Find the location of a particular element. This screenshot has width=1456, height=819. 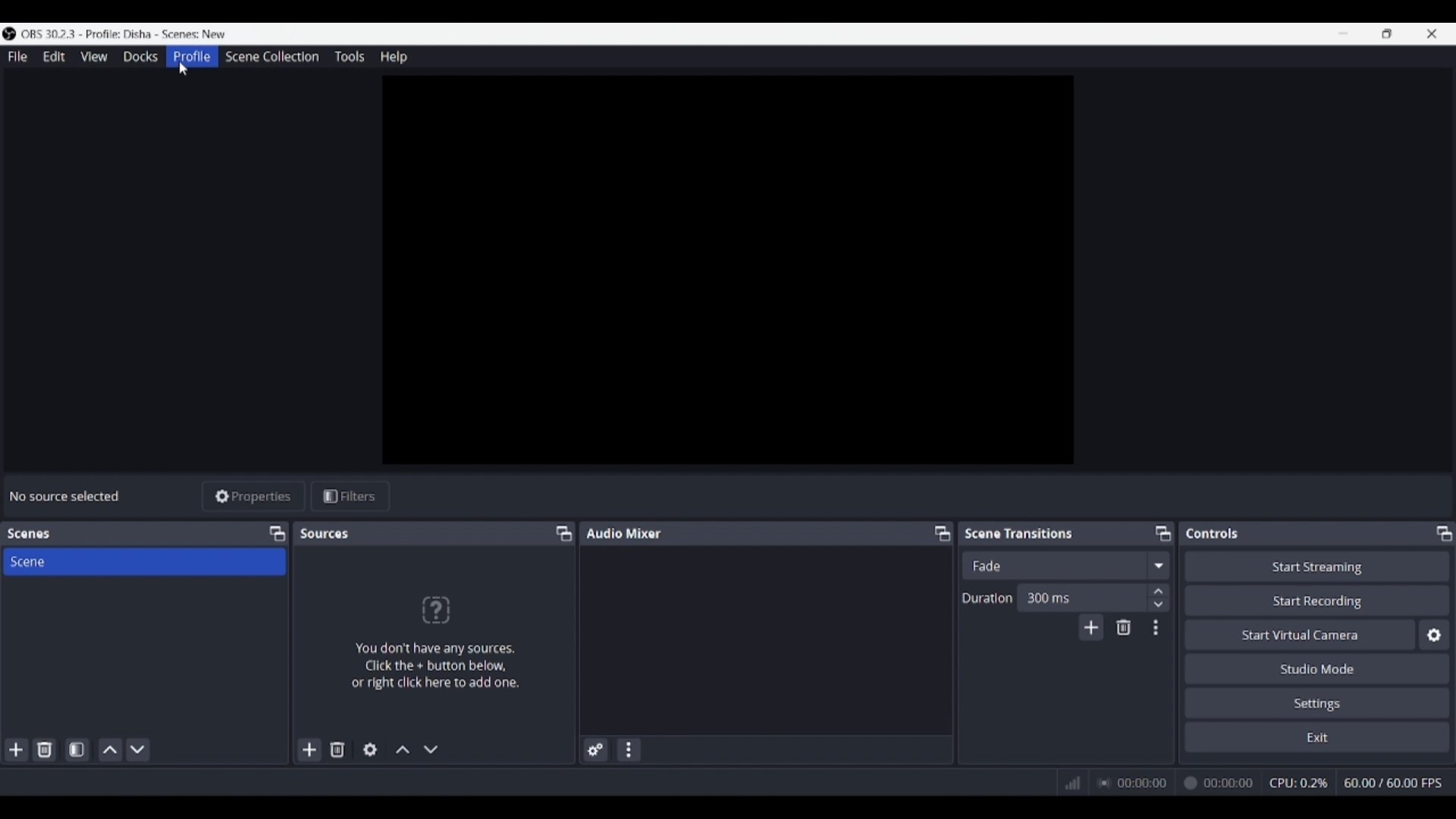

Start streaming is located at coordinates (1318, 566).